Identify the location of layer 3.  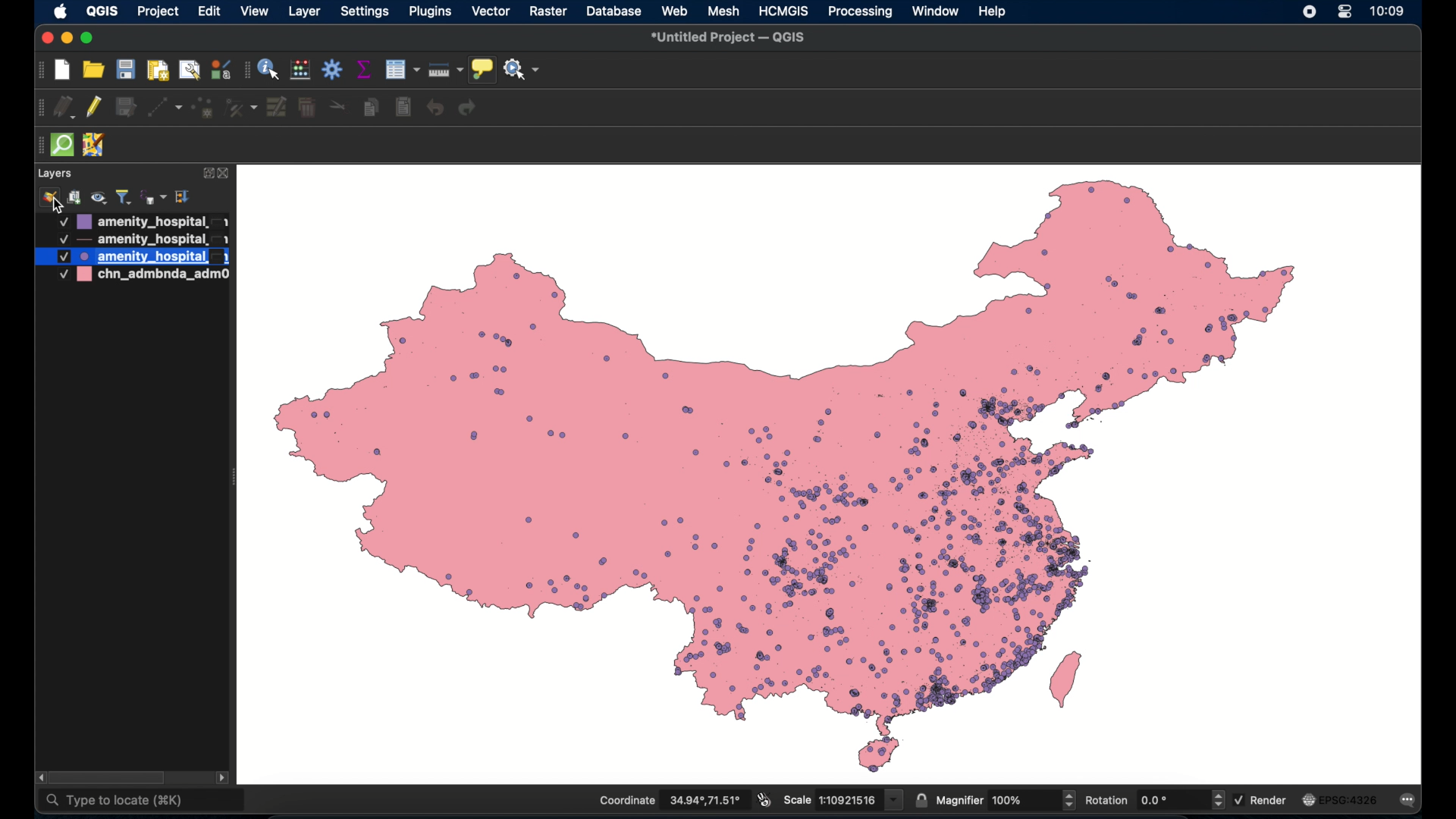
(130, 256).